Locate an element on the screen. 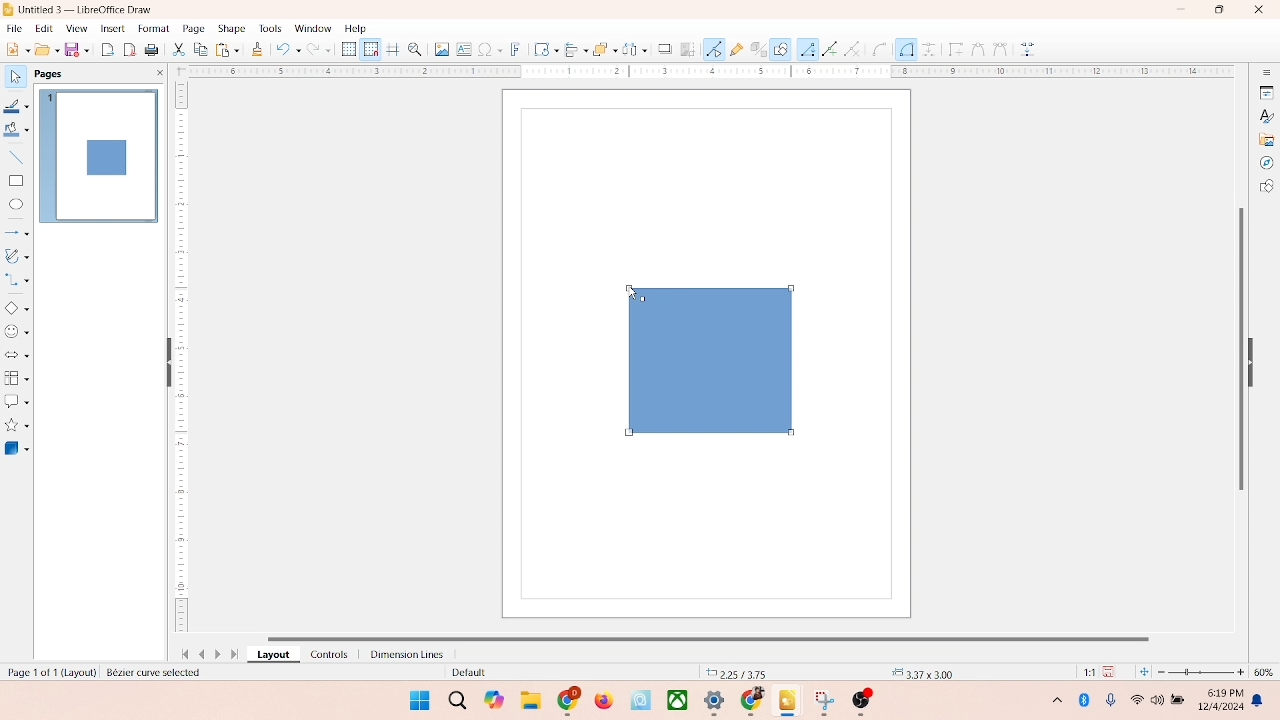  fill color is located at coordinates (16, 133).